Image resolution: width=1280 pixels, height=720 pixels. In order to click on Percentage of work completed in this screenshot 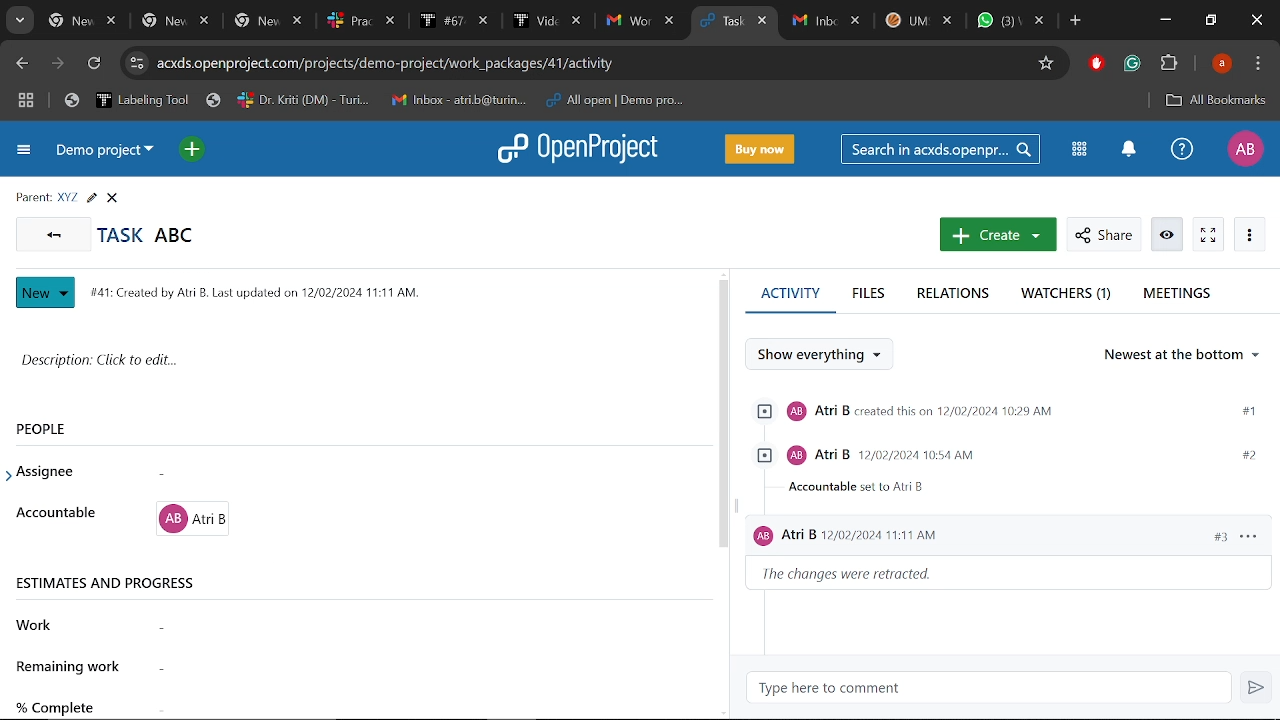, I will do `click(415, 702)`.